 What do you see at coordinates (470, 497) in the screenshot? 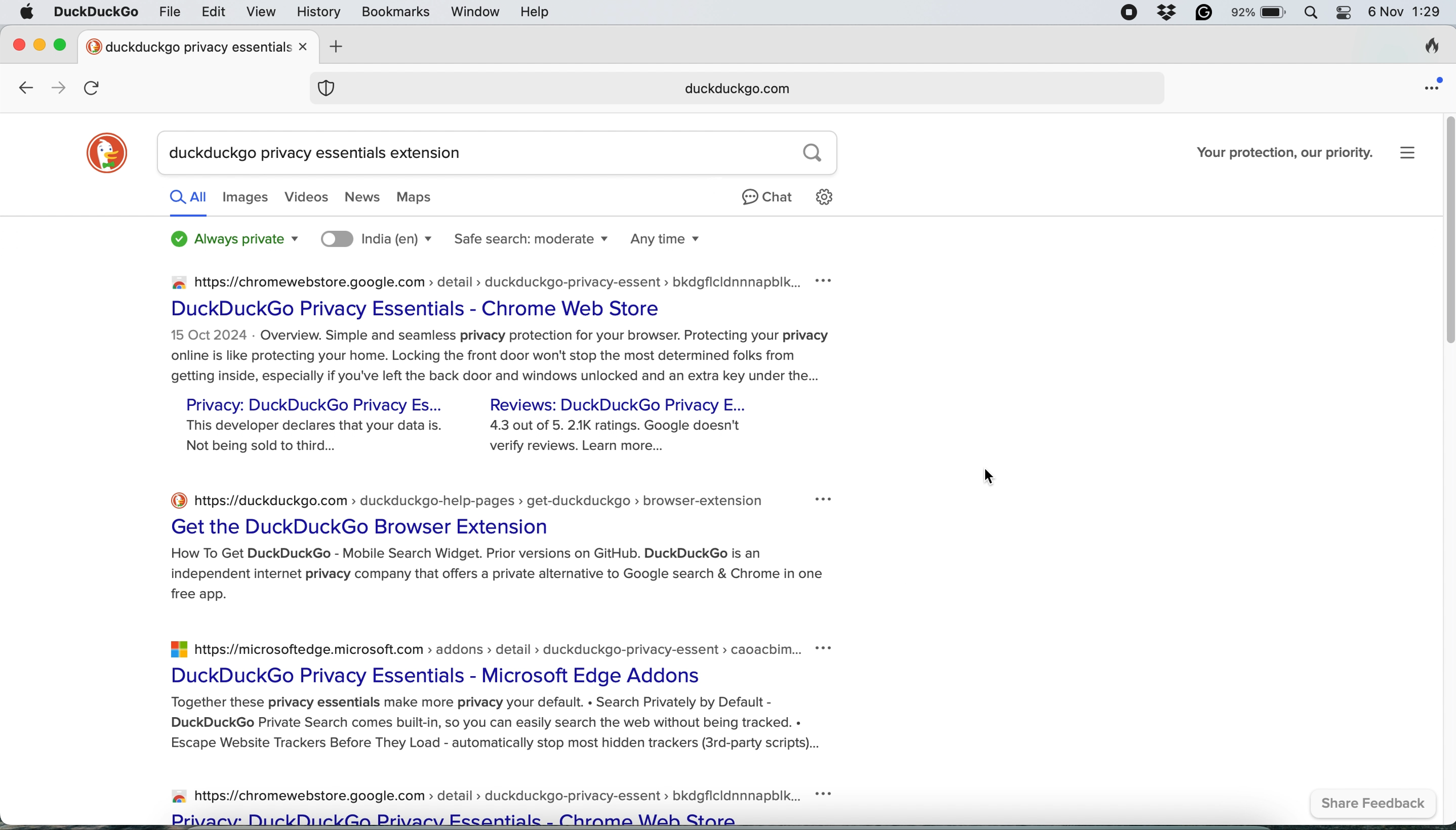
I see `~ https://duckduckgo.com :` at bounding box center [470, 497].